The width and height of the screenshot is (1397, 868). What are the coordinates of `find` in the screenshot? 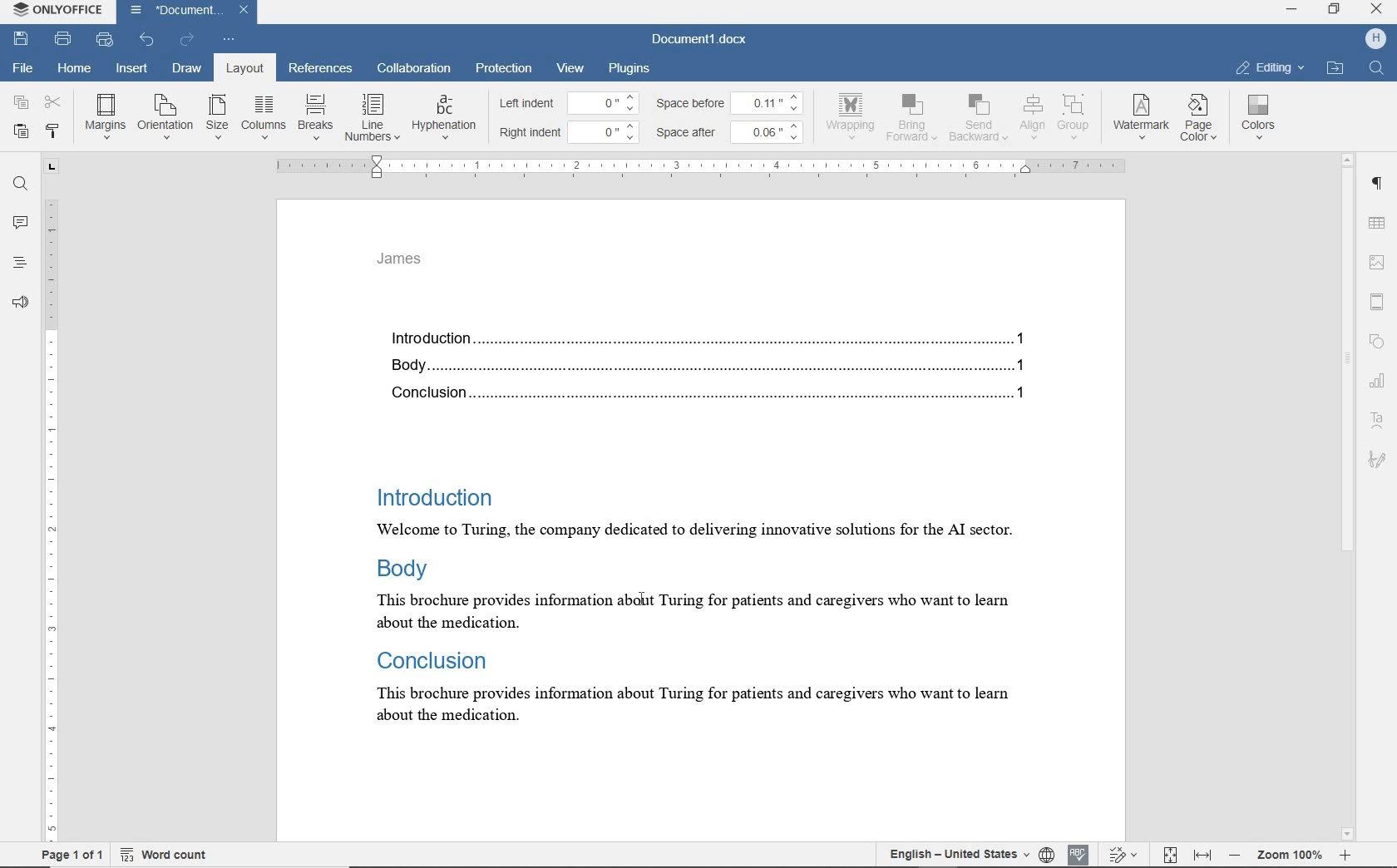 It's located at (21, 186).